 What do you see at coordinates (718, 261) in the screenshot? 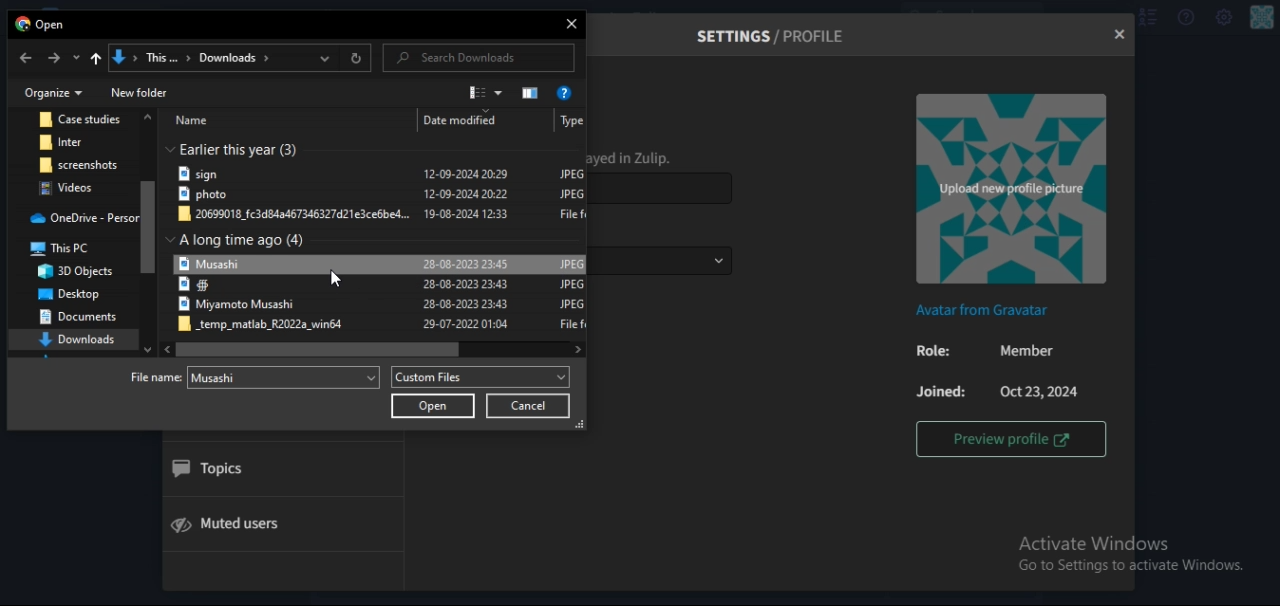
I see `dropdown` at bounding box center [718, 261].